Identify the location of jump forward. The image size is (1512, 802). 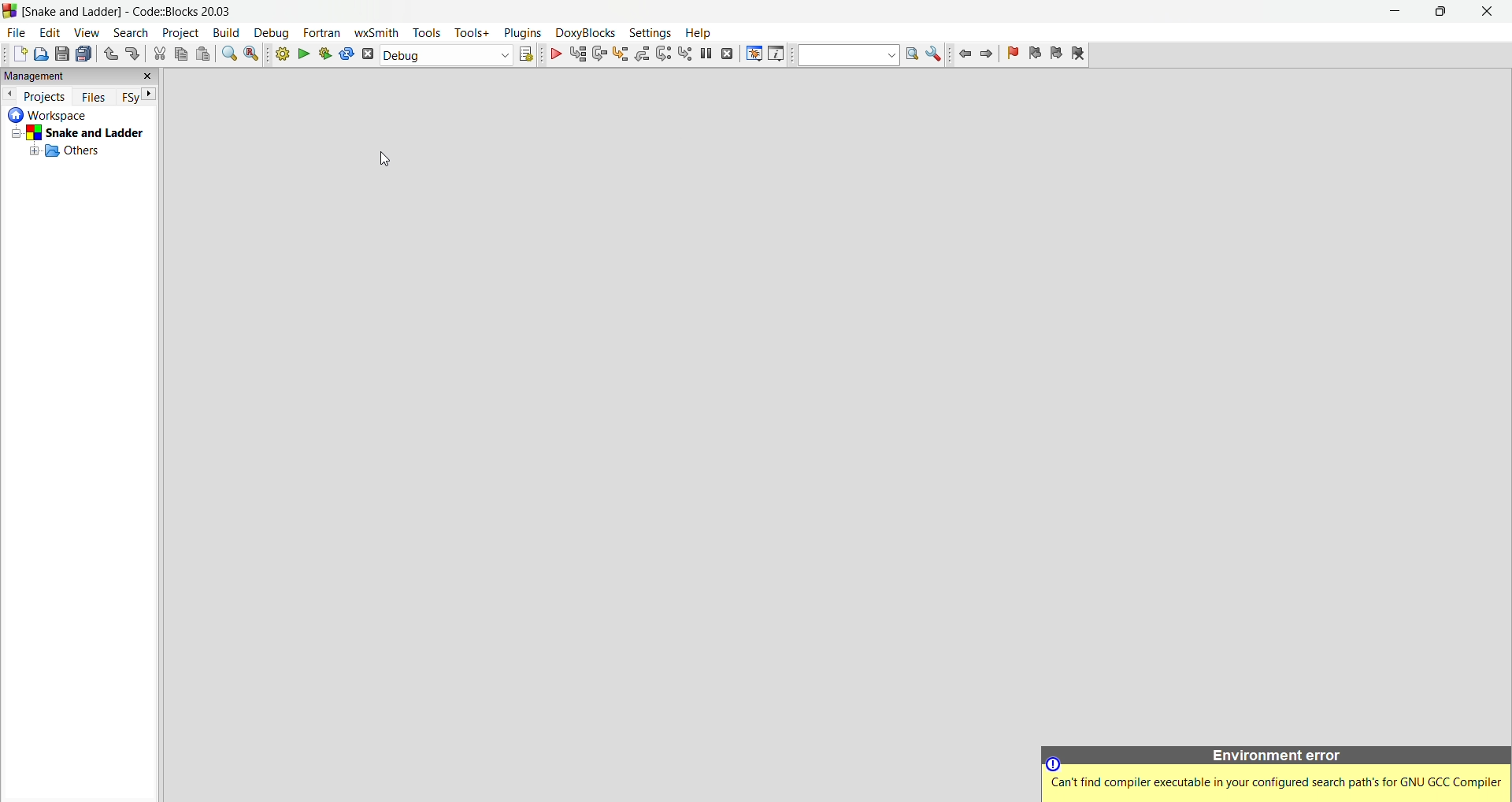
(988, 55).